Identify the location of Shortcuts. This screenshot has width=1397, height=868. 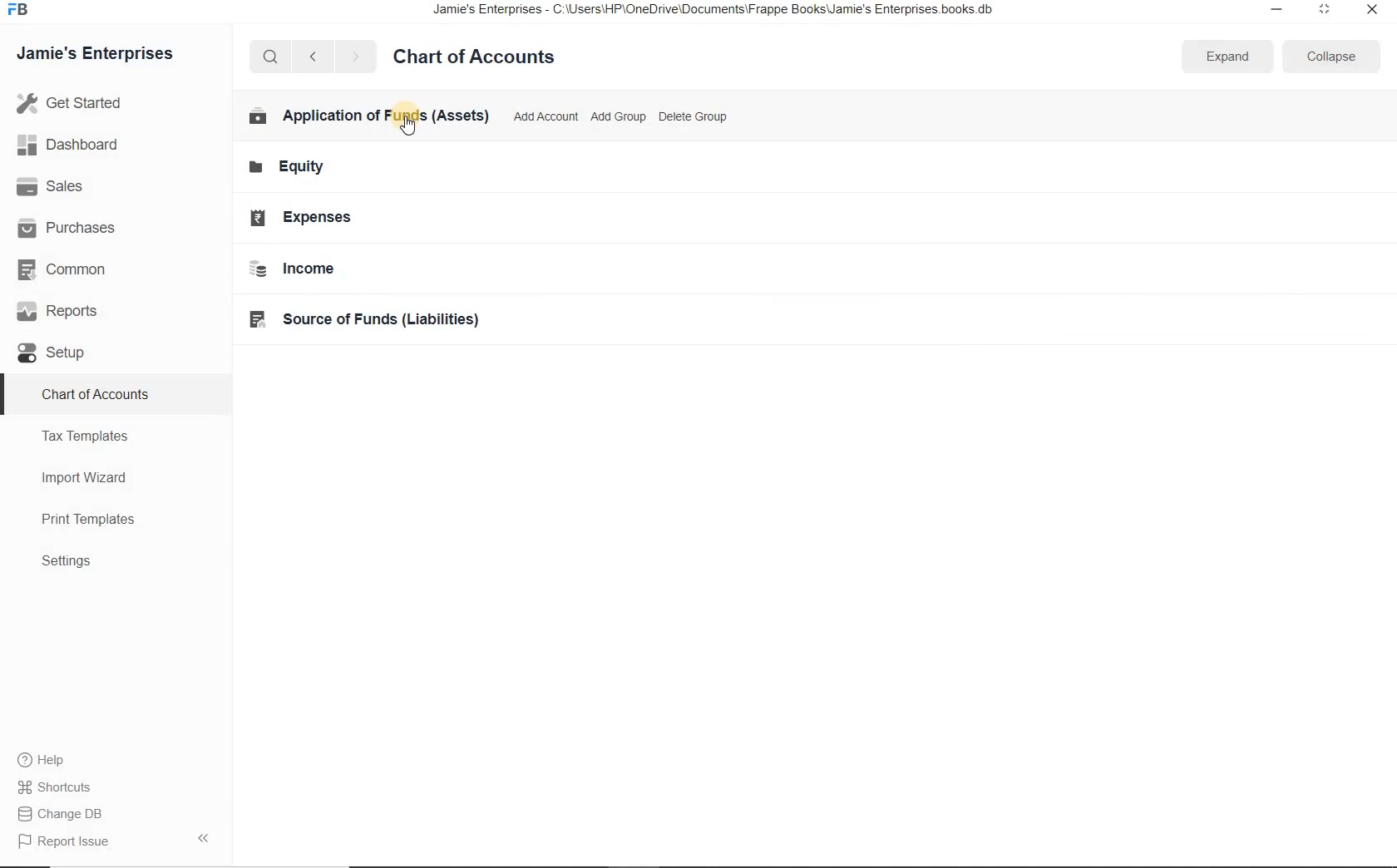
(57, 787).